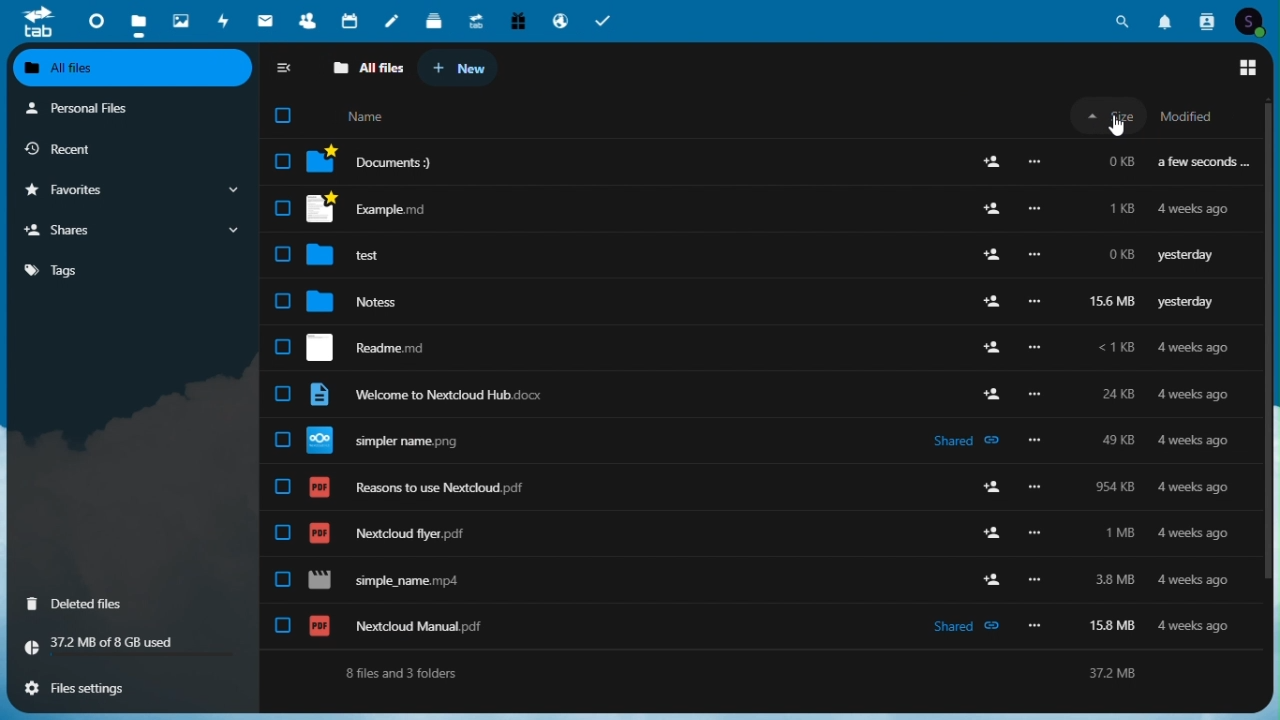  I want to click on cursor, so click(1118, 127).